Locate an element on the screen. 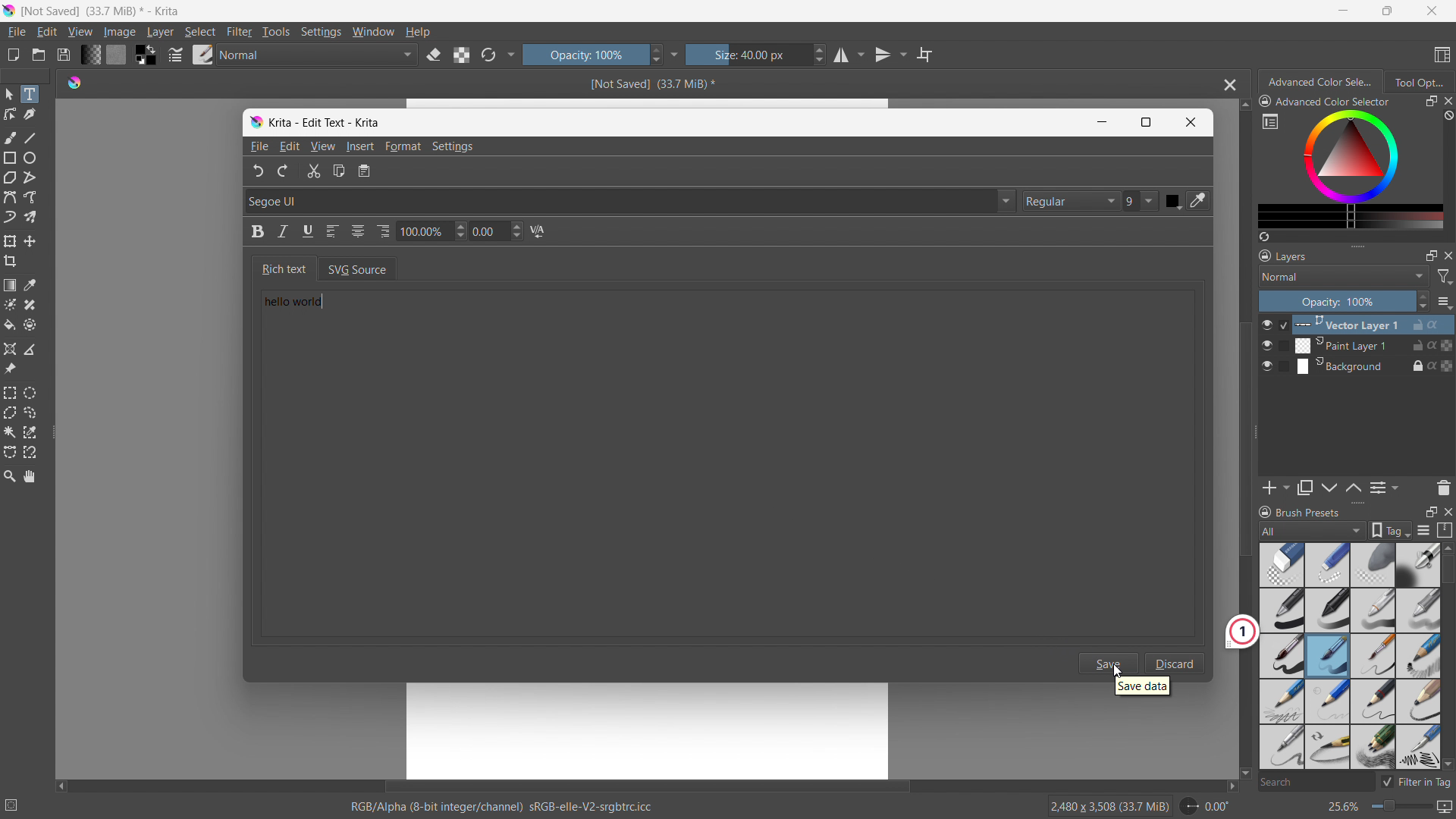 Image resolution: width=1456 pixels, height=819 pixels. polyline tool is located at coordinates (30, 179).